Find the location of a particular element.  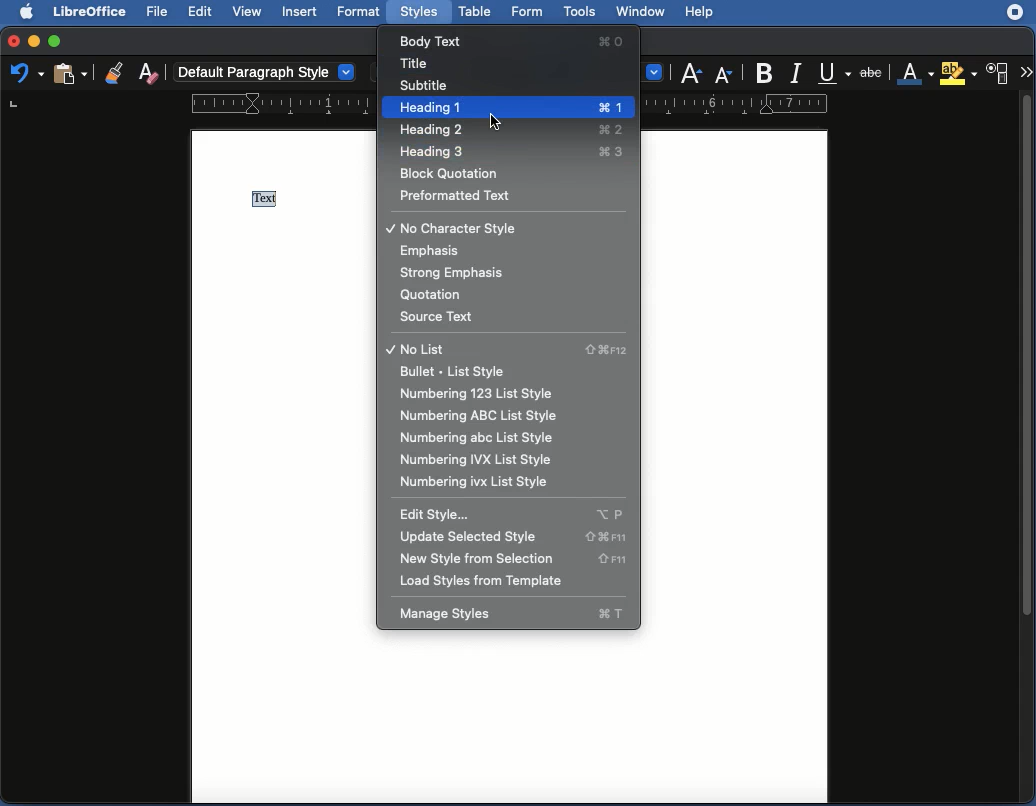

Maximize is located at coordinates (56, 39).